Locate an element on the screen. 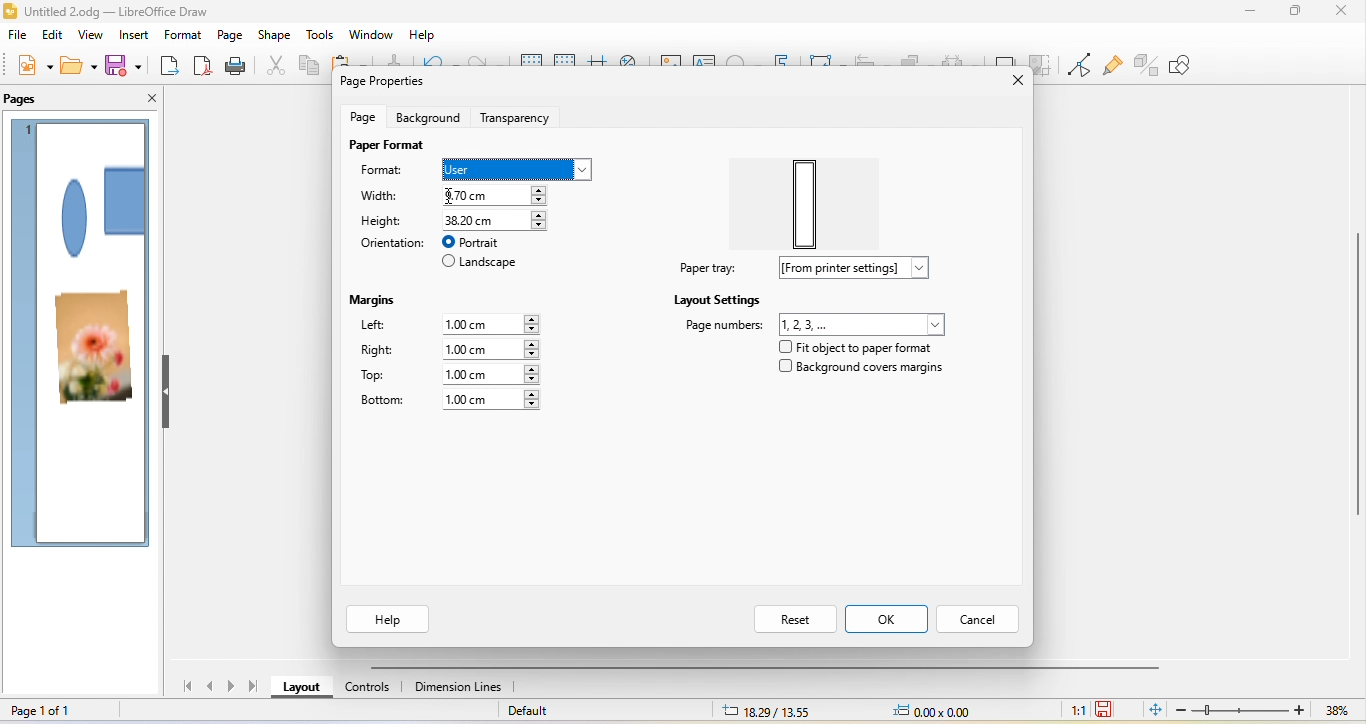 The image size is (1366, 724). export direct as pdf is located at coordinates (205, 66).